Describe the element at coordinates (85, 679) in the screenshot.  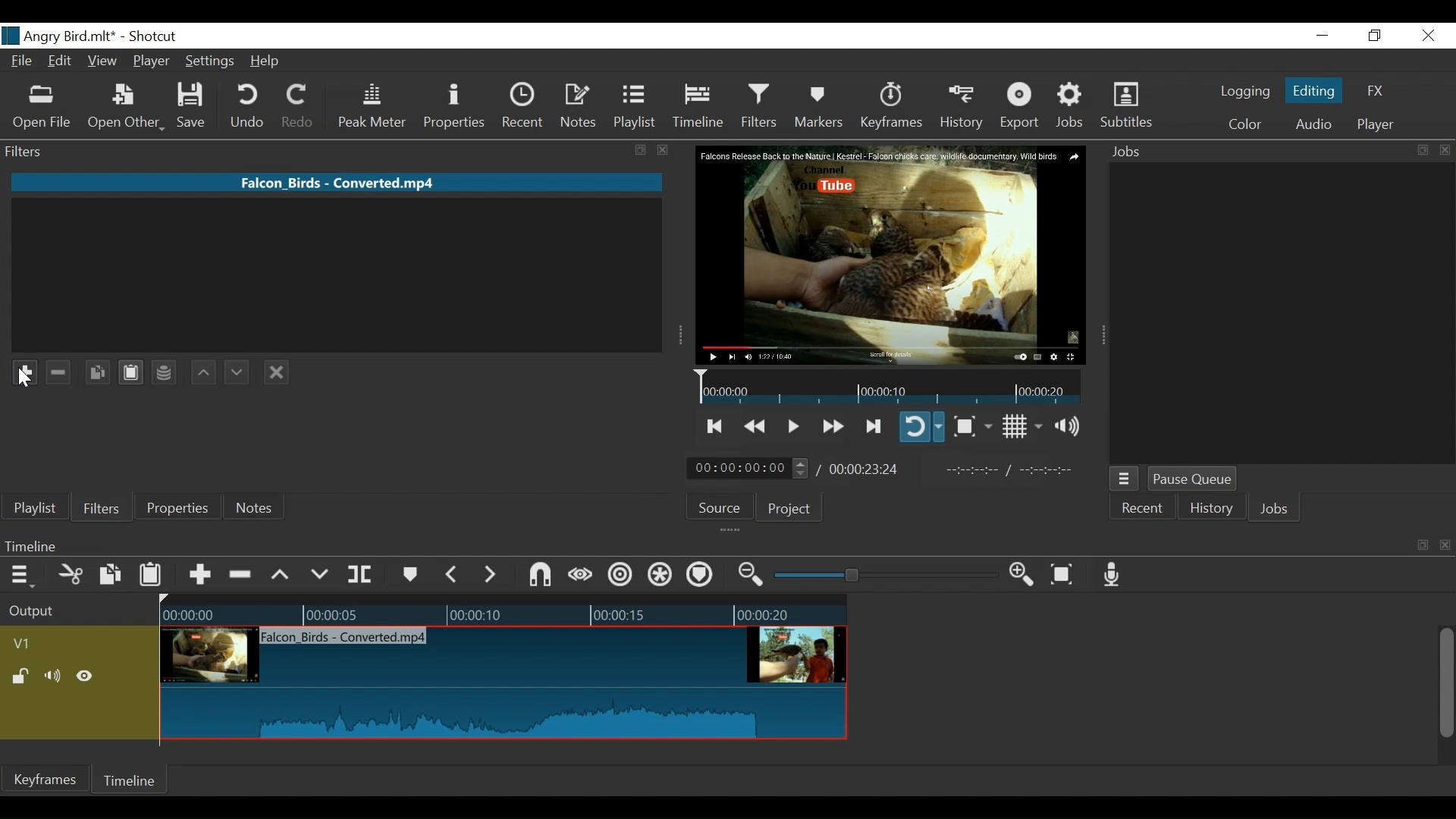
I see `Hide` at that location.